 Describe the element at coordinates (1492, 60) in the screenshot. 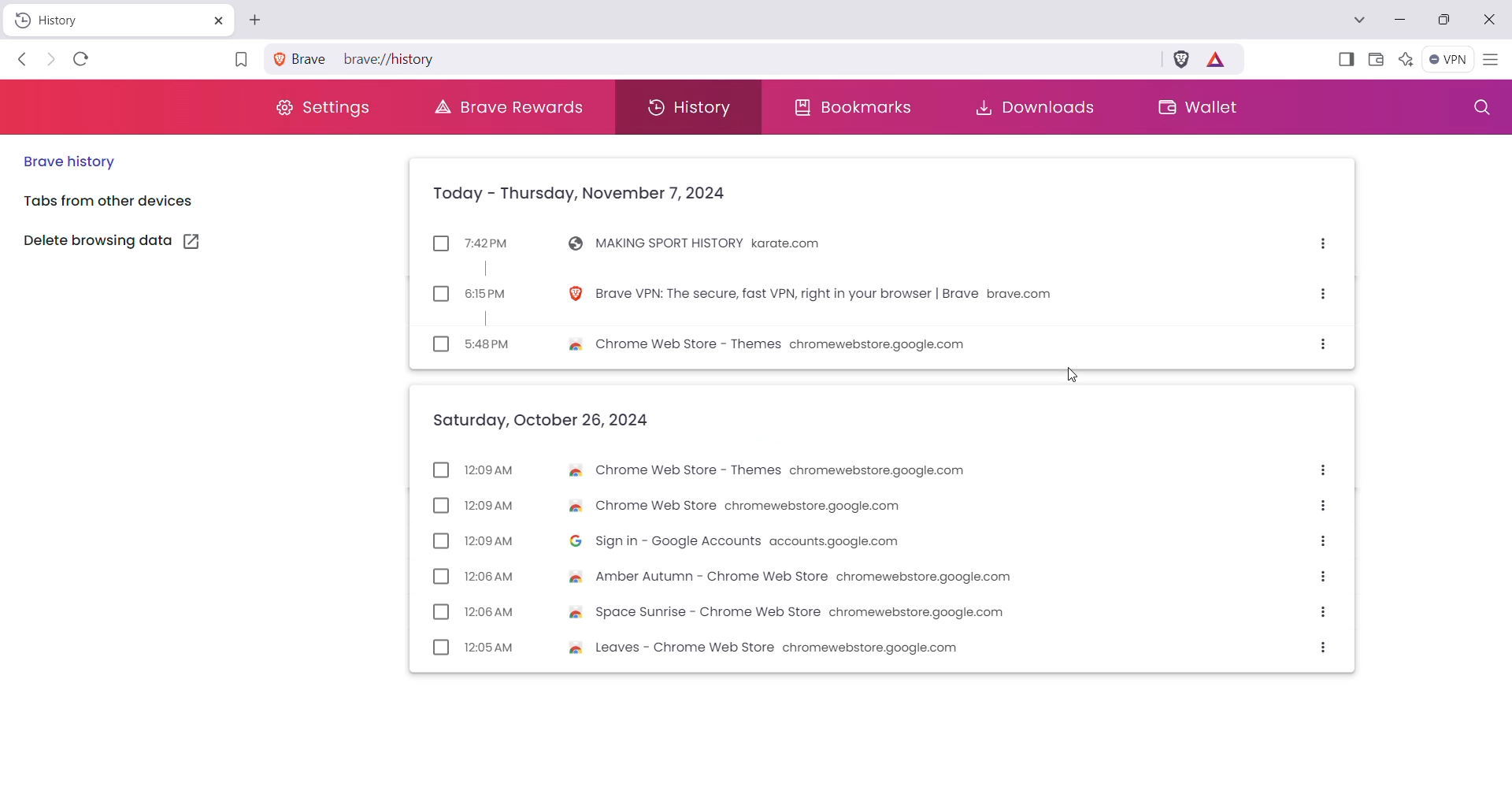

I see `Customize and Control Brave` at that location.